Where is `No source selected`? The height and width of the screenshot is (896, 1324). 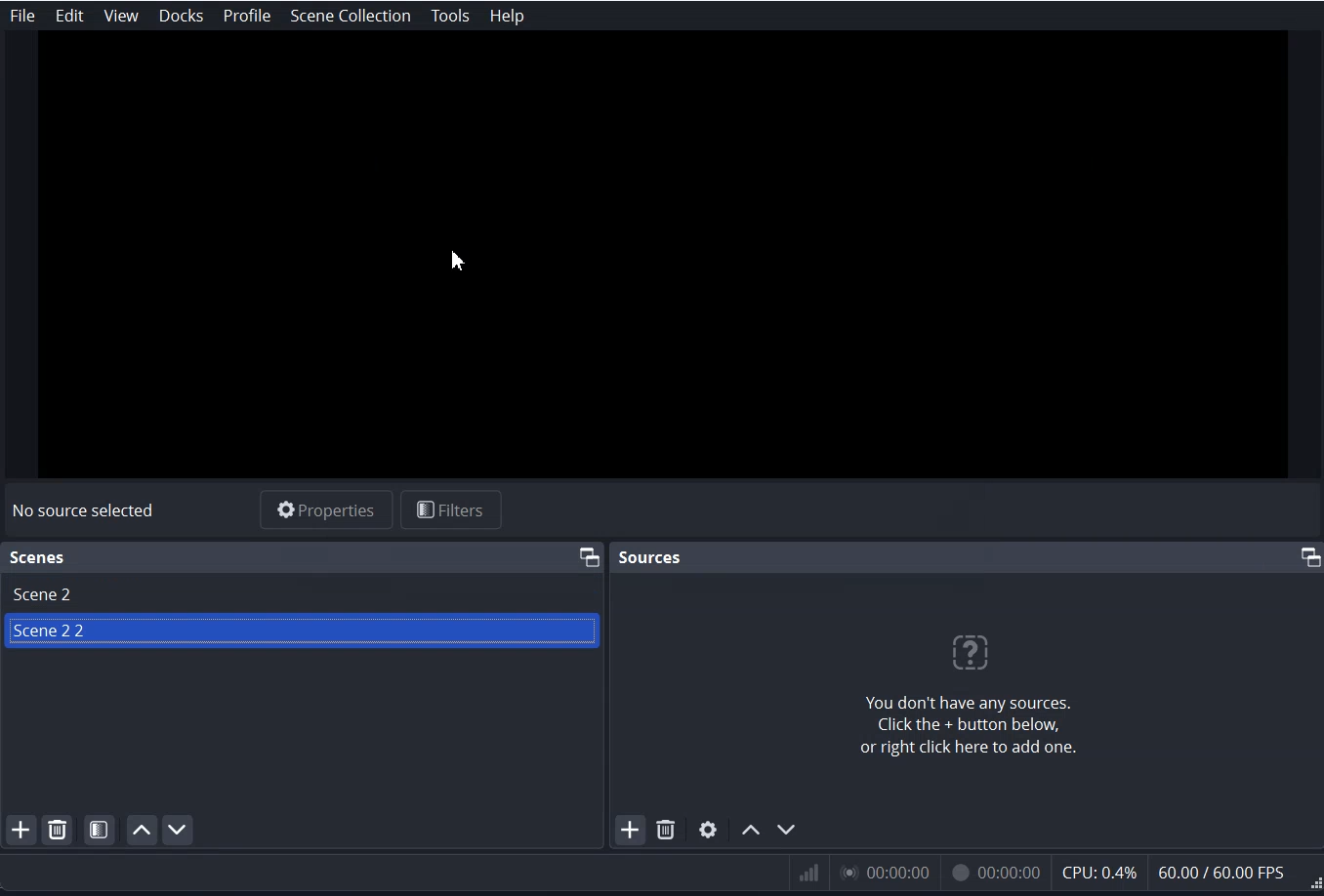 No source selected is located at coordinates (84, 511).